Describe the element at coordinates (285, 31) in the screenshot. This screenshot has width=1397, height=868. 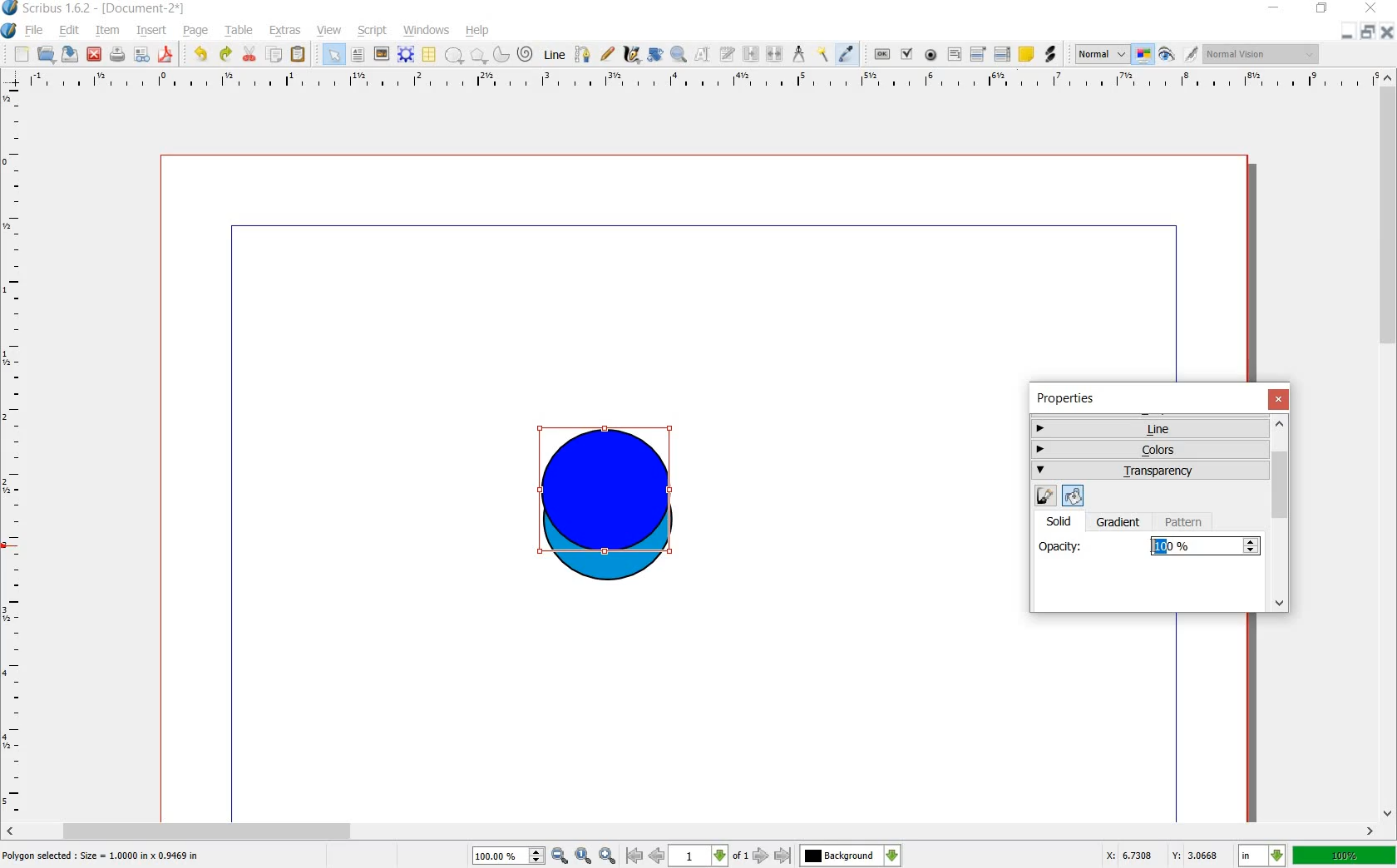
I see `extras` at that location.